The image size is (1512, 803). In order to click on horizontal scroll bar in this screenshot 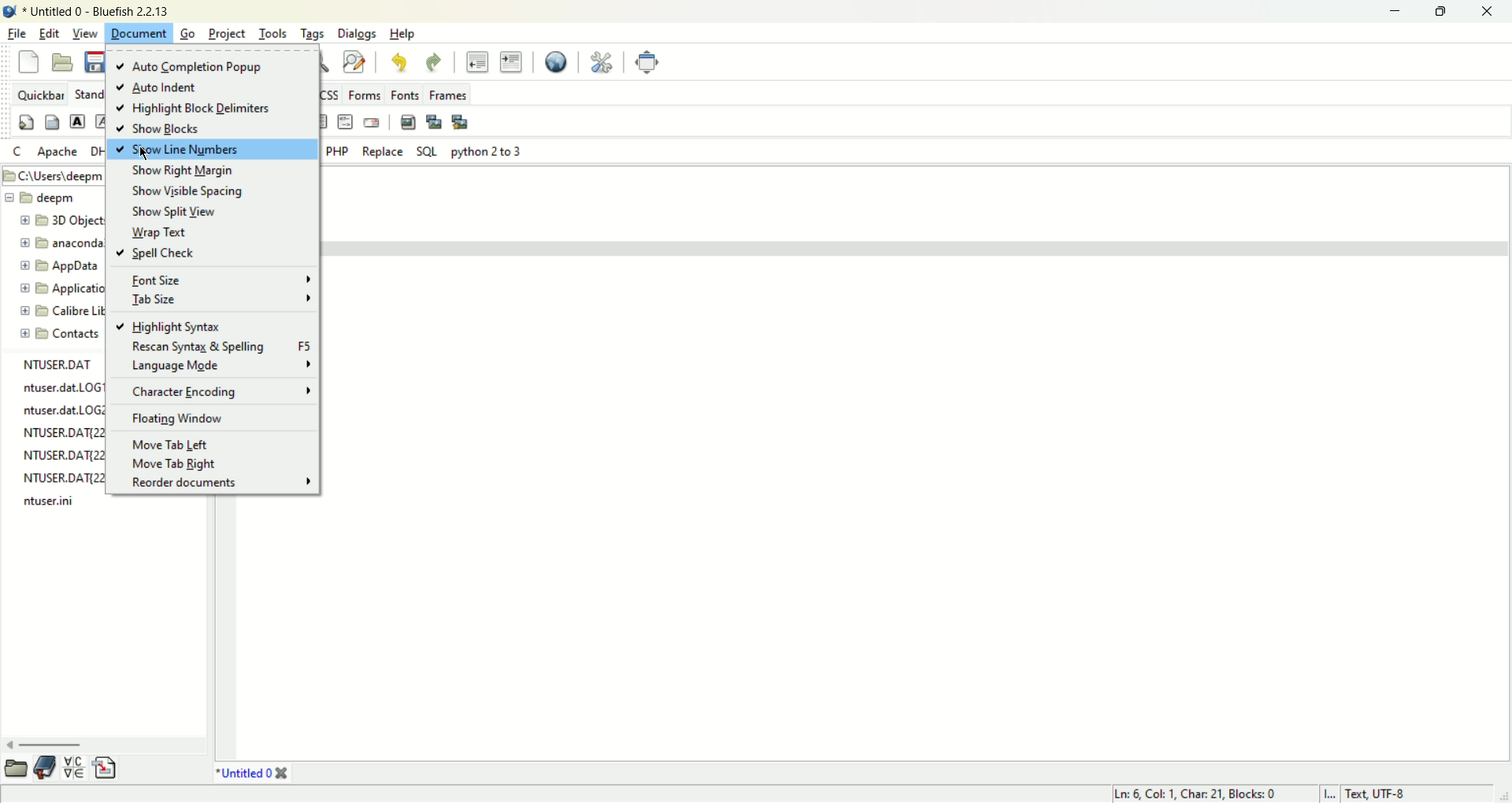, I will do `click(98, 746)`.